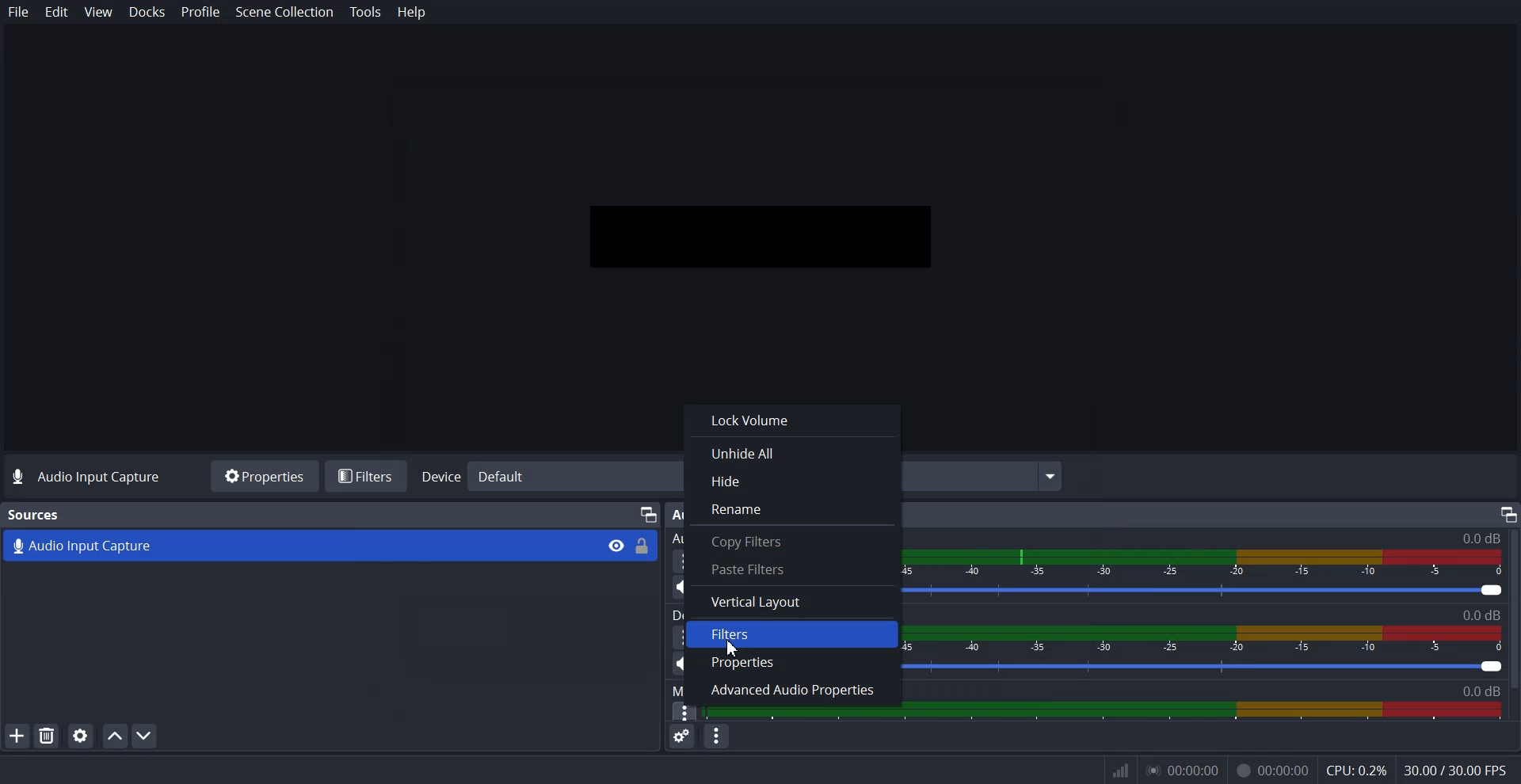 This screenshot has width=1521, height=784. I want to click on Preview window, so click(760, 234).